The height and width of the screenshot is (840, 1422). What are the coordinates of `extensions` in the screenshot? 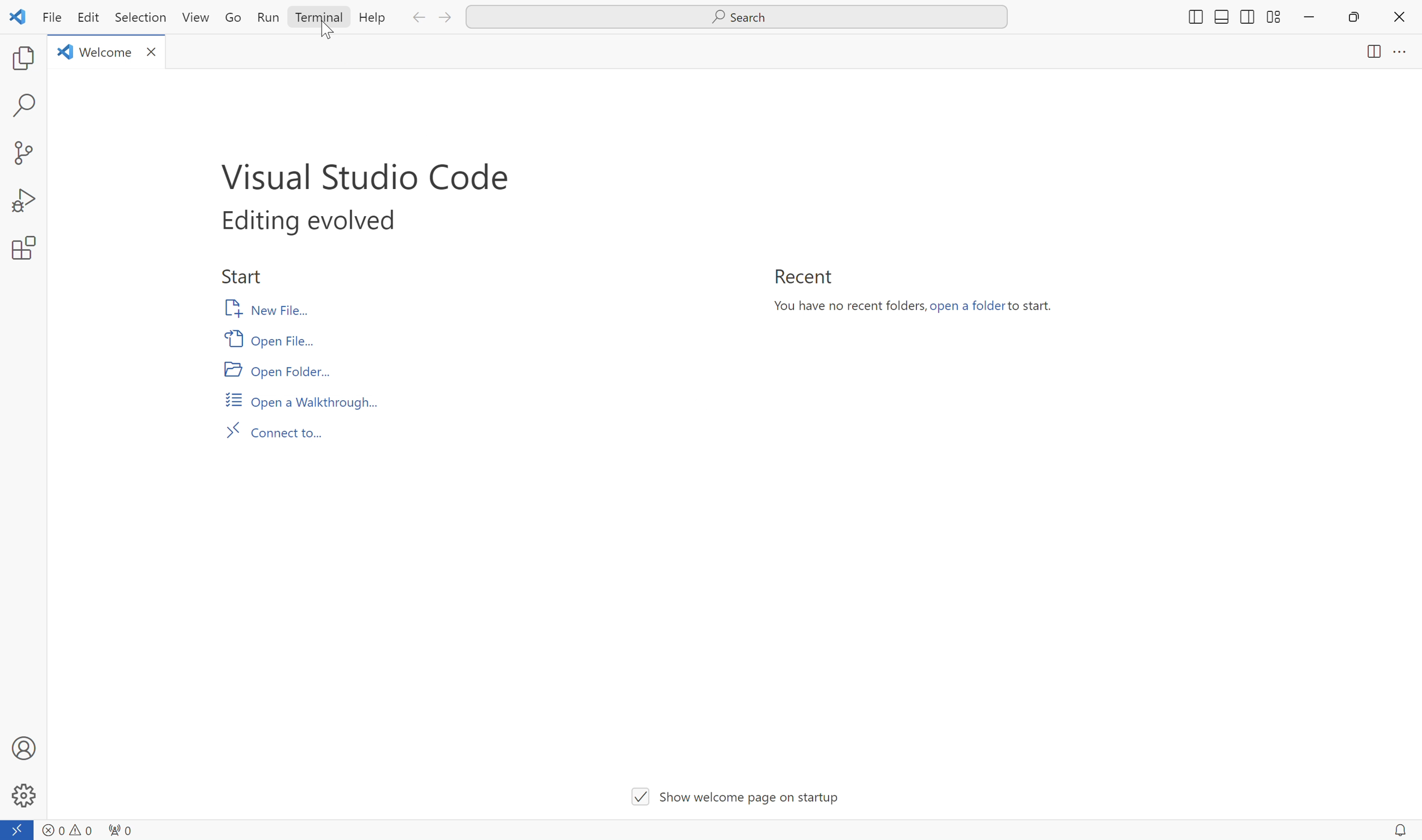 It's located at (22, 249).